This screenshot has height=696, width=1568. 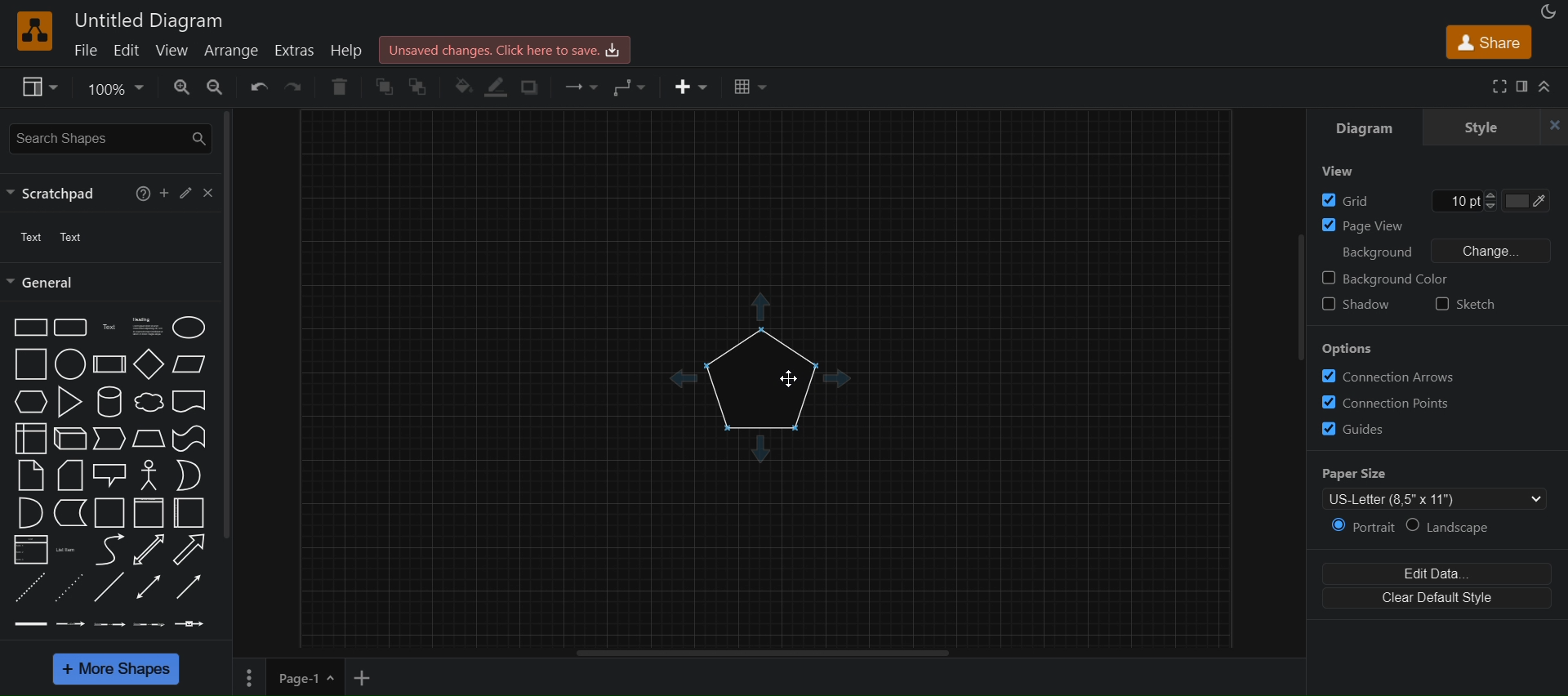 What do you see at coordinates (1526, 201) in the screenshot?
I see `Colour picker` at bounding box center [1526, 201].